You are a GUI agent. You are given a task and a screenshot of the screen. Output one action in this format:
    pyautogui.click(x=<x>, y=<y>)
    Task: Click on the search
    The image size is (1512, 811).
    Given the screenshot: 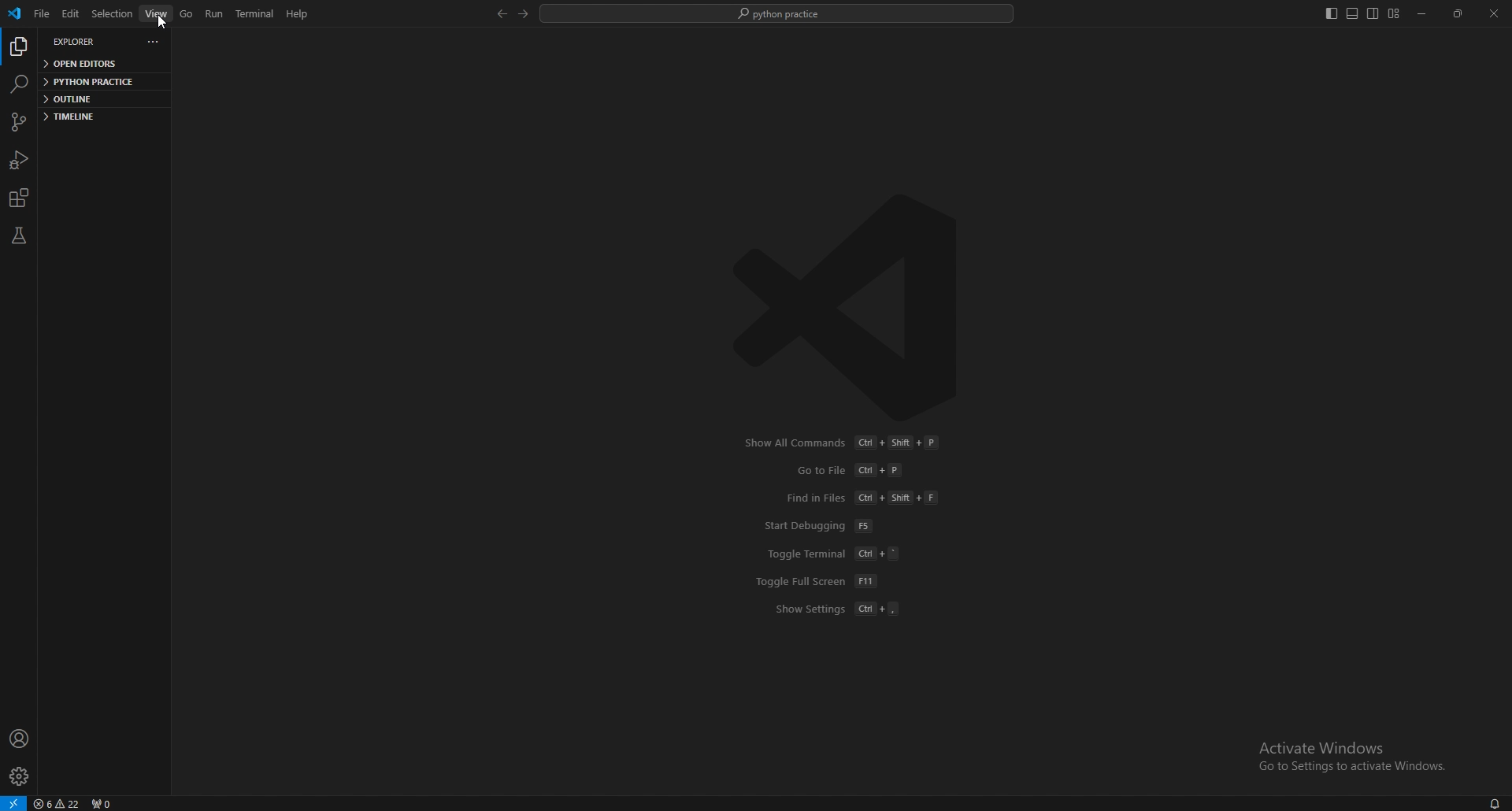 What is the action you would take?
    pyautogui.click(x=20, y=84)
    